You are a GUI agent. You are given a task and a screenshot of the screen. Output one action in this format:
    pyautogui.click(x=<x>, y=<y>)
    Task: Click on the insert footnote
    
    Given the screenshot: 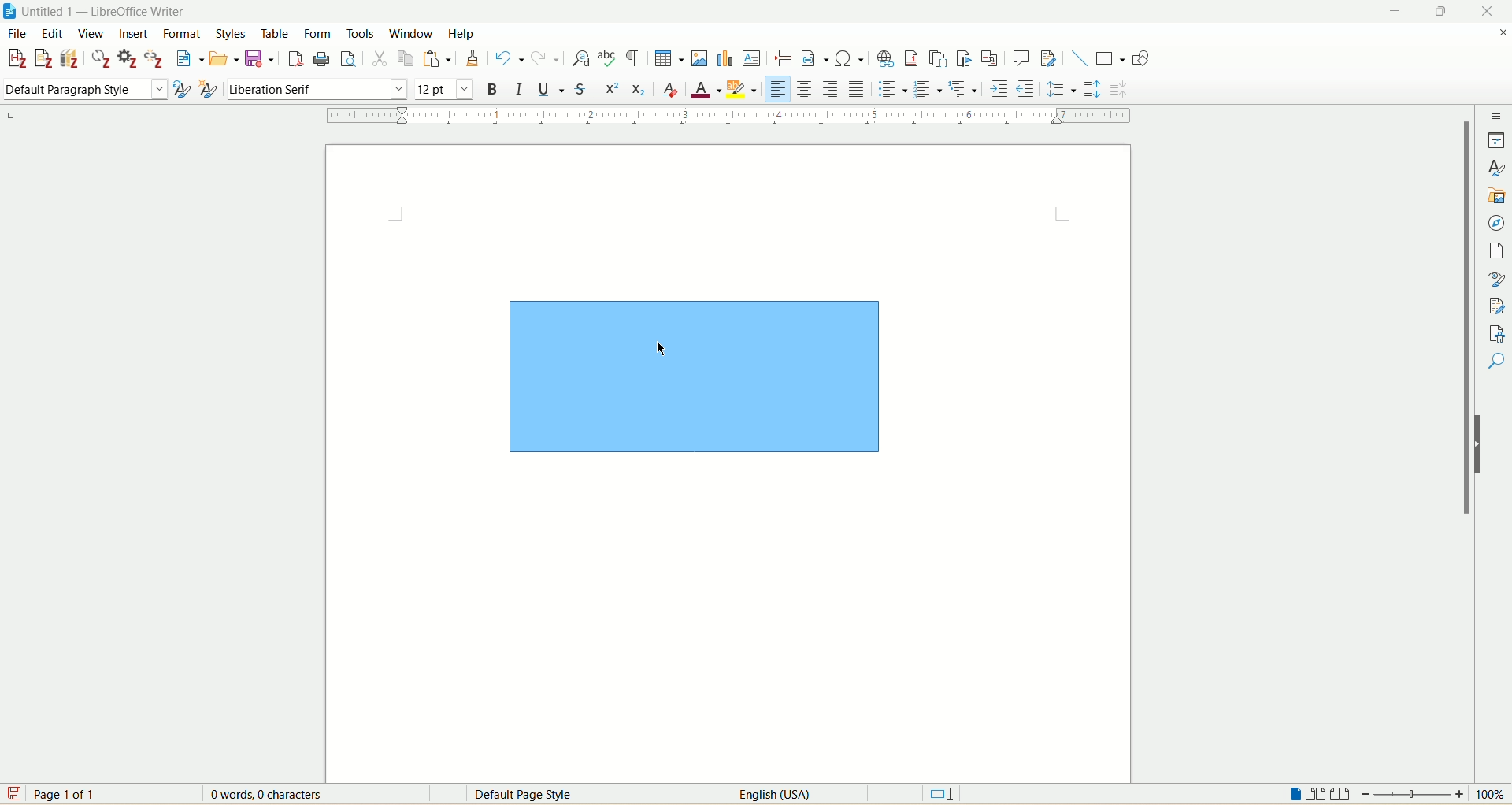 What is the action you would take?
    pyautogui.click(x=911, y=59)
    